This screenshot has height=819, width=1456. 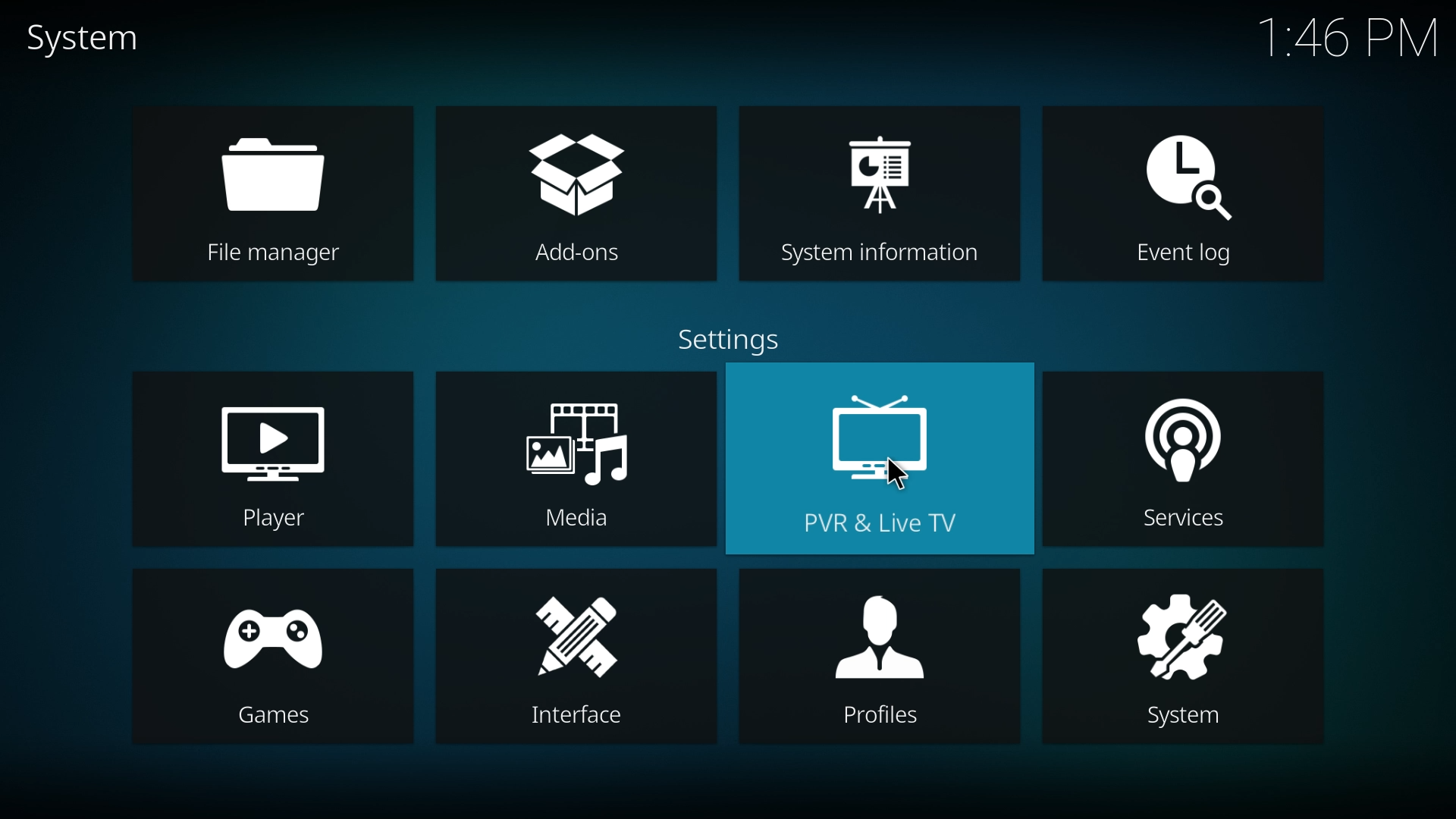 I want to click on settings, so click(x=731, y=337).